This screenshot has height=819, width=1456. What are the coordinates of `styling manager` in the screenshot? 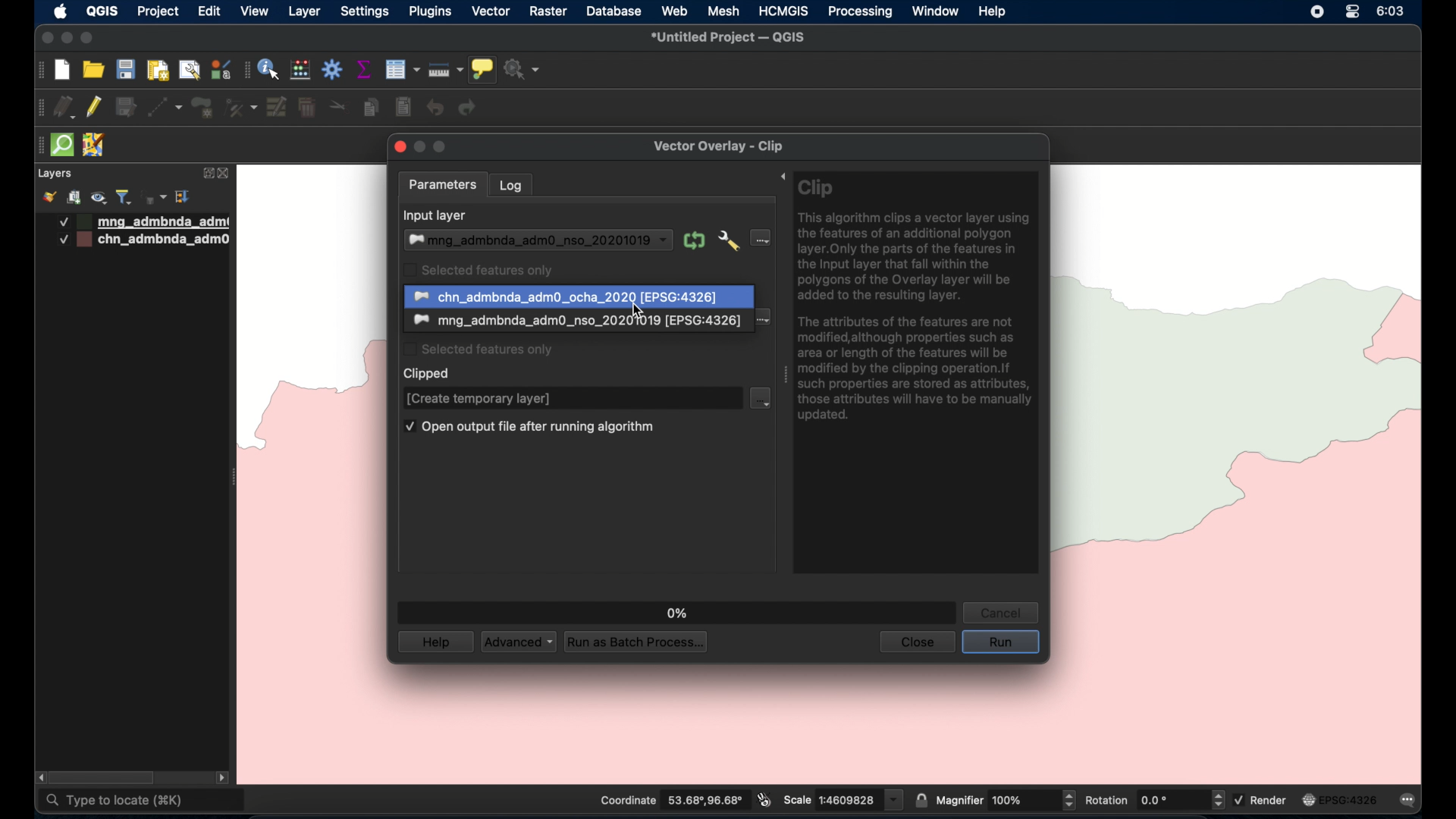 It's located at (220, 69).